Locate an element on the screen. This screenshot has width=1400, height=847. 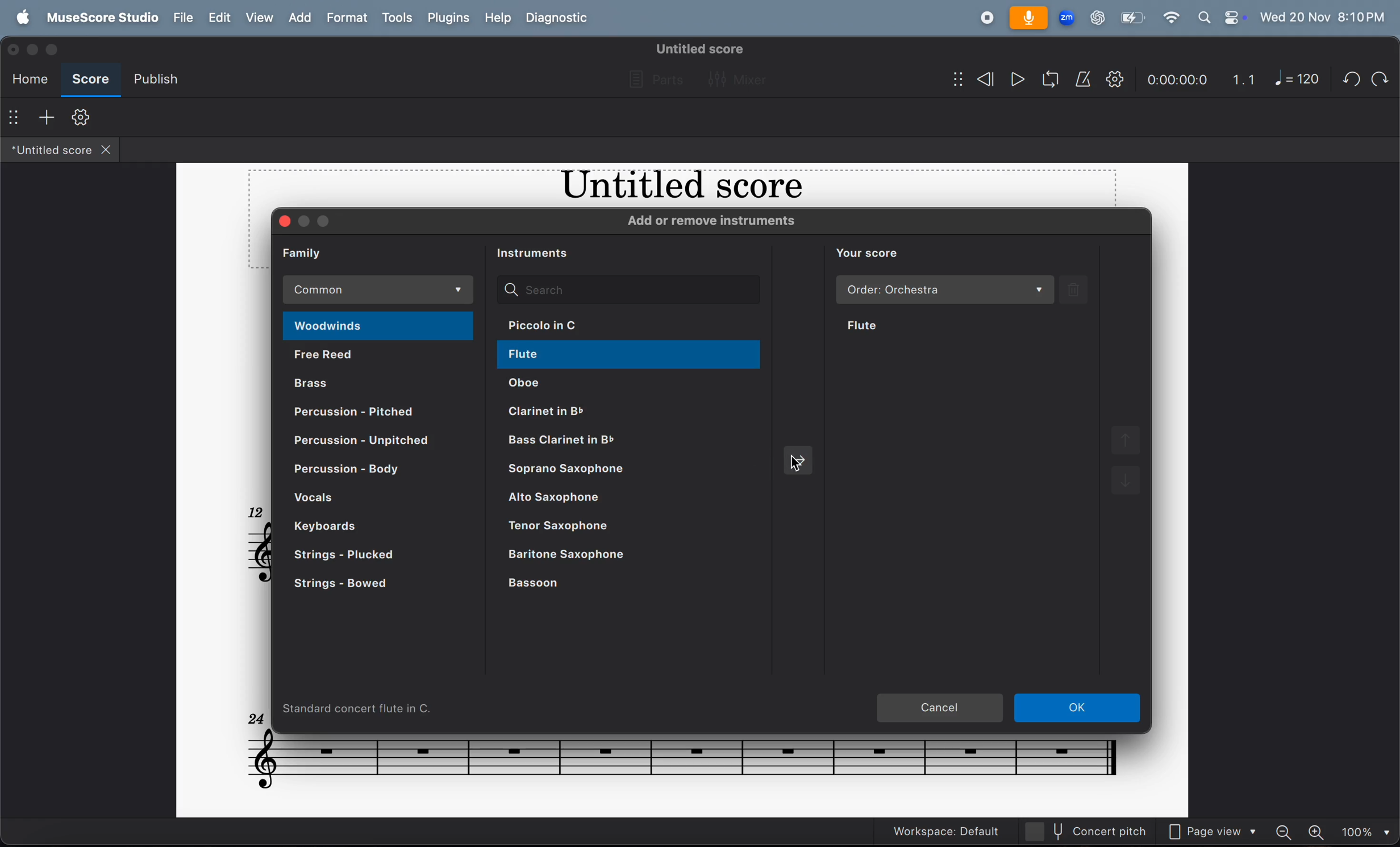
untitled score is located at coordinates (698, 47).